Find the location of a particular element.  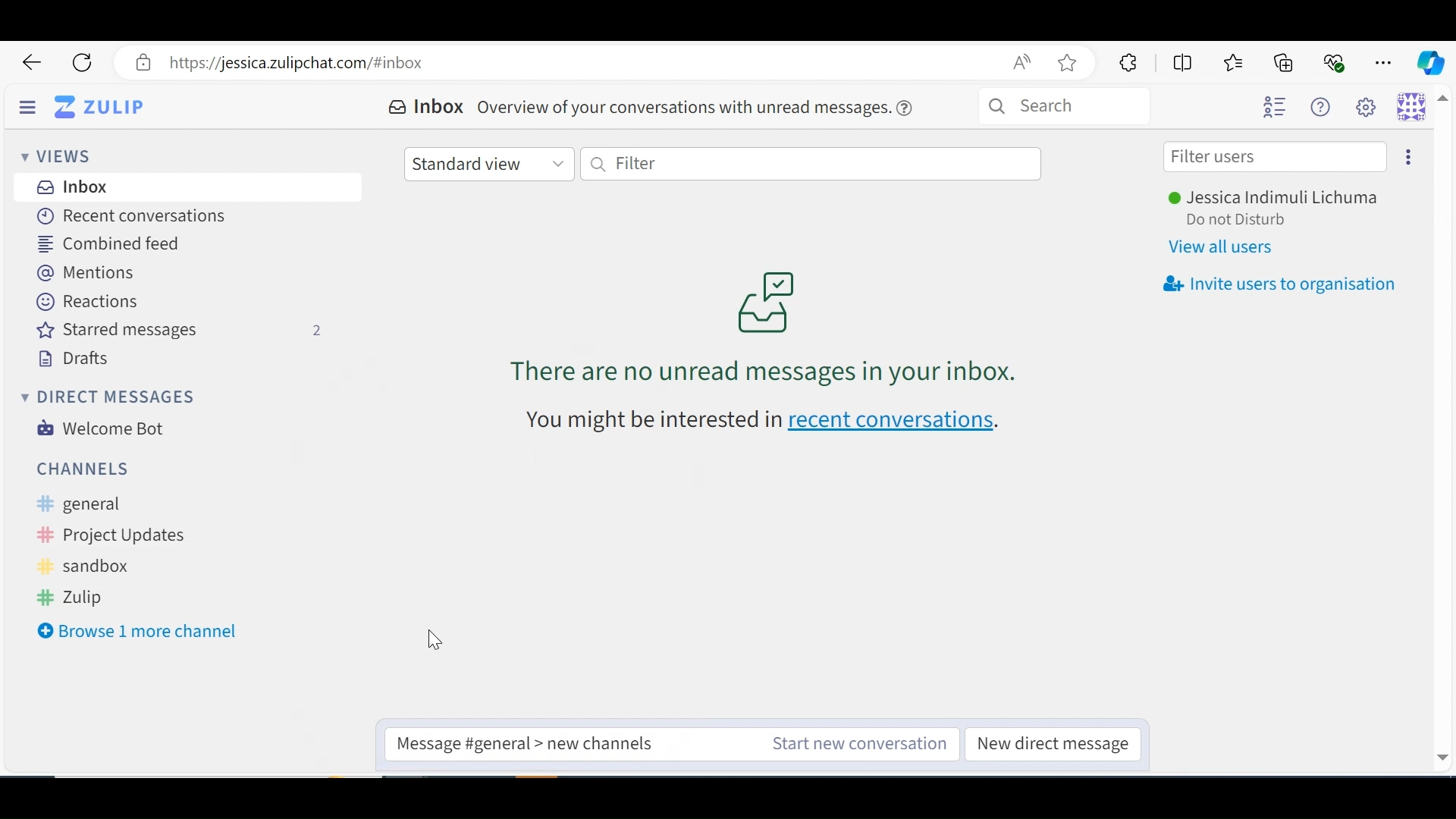

Settings and more is located at coordinates (1385, 60).